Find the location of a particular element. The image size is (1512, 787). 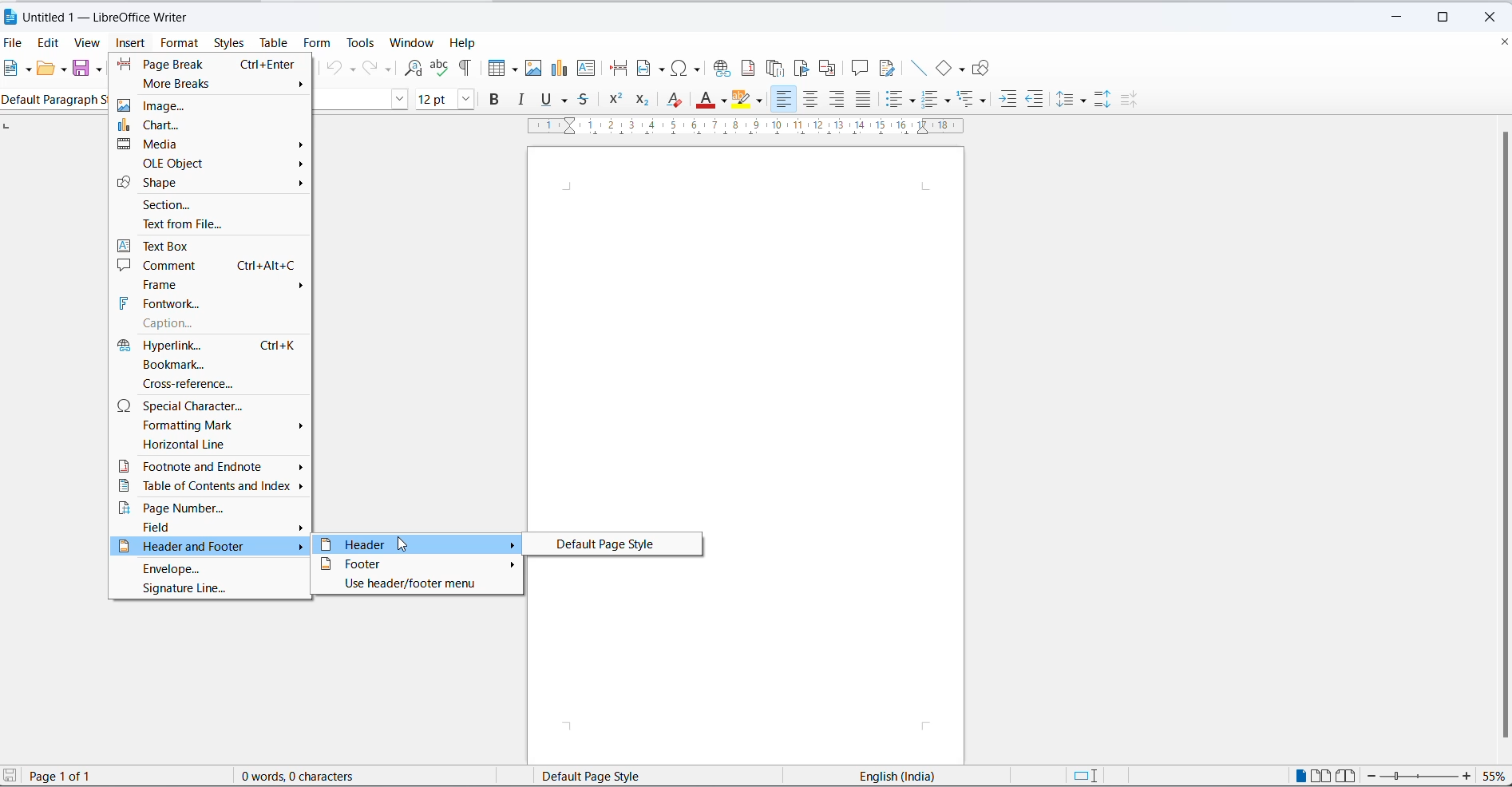

use header/footer menu is located at coordinates (418, 587).